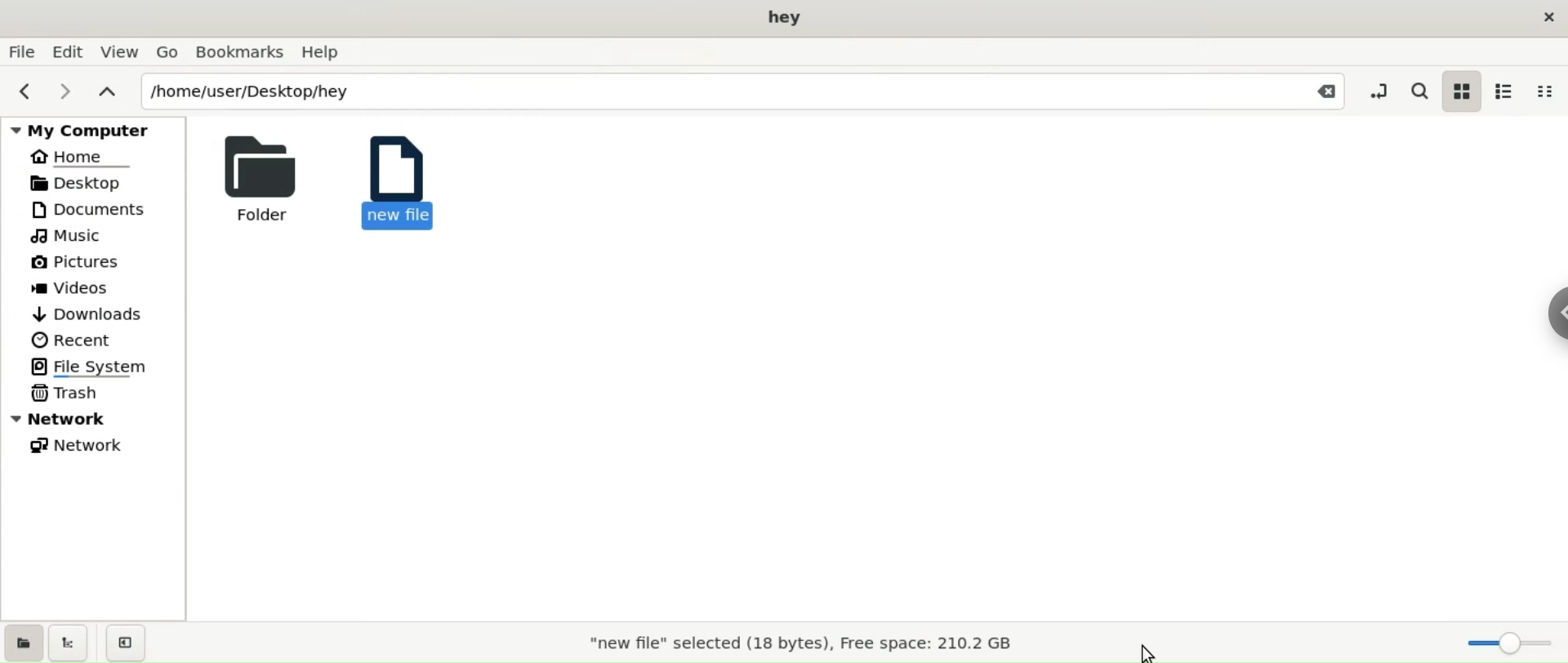 The image size is (1568, 663). What do you see at coordinates (77, 263) in the screenshot?
I see `Pictures` at bounding box center [77, 263].